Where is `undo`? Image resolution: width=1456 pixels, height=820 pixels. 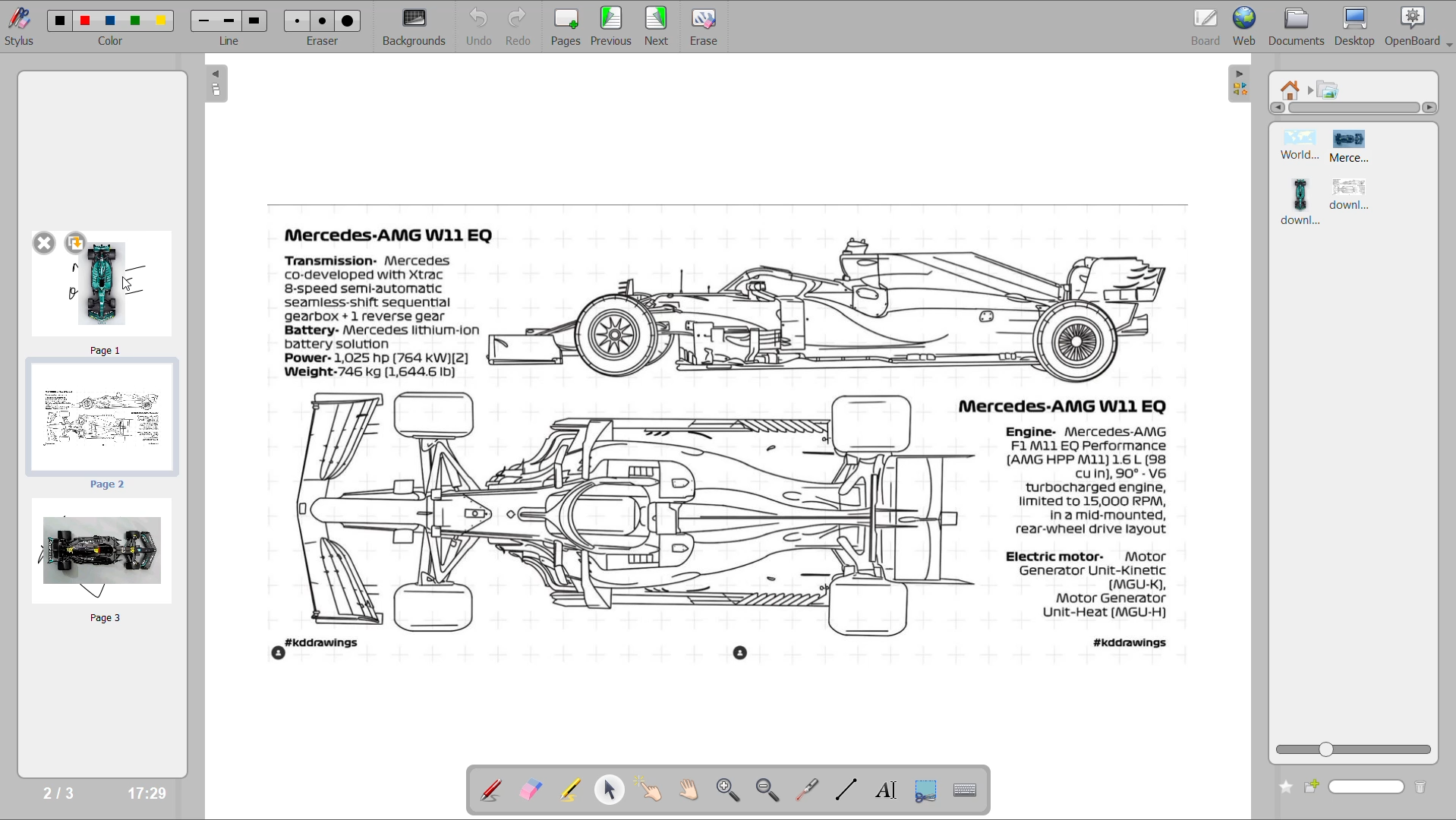 undo is located at coordinates (474, 27).